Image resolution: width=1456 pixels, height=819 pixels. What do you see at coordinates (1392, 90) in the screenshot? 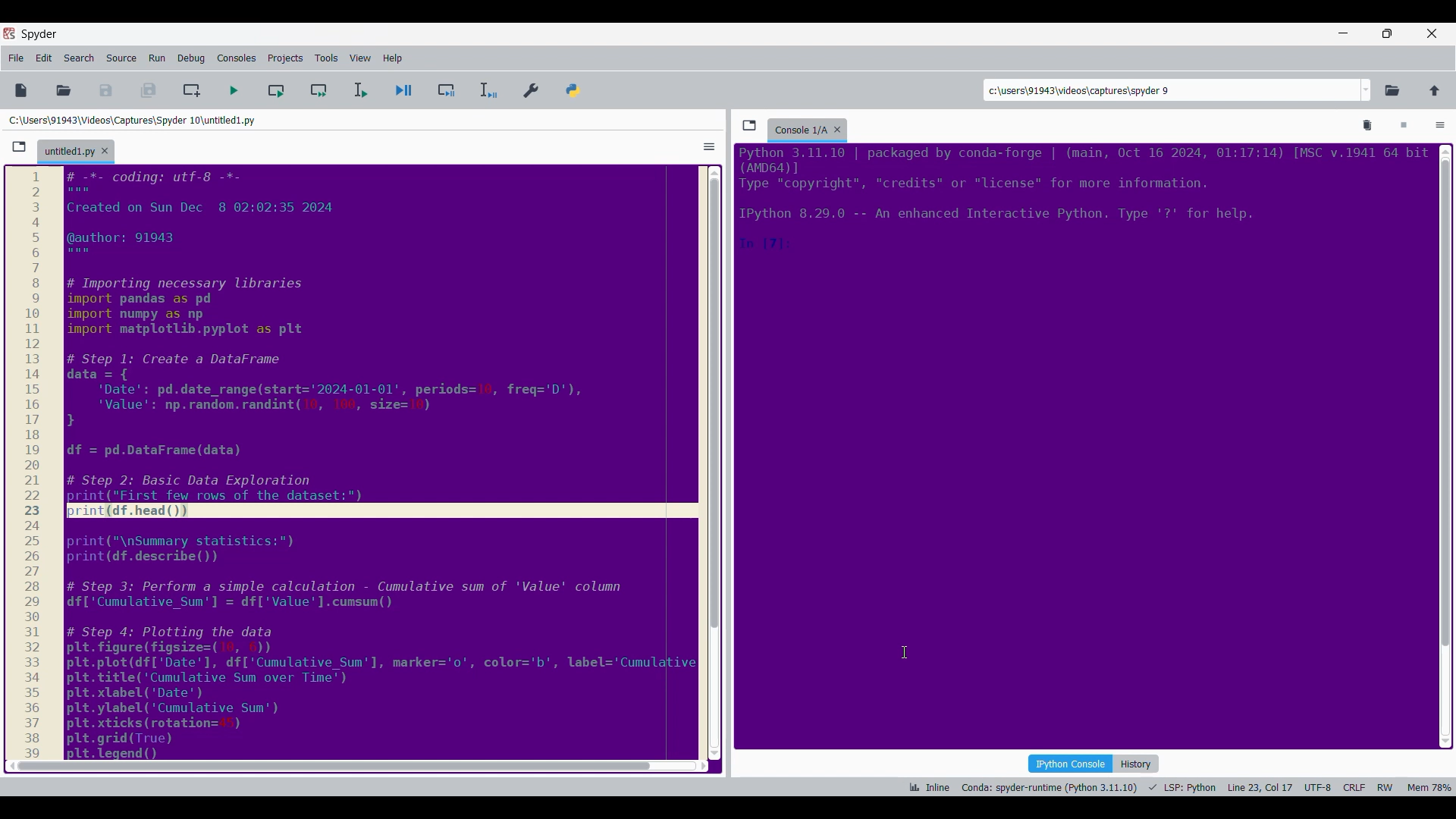
I see `Browse a working directory` at bounding box center [1392, 90].